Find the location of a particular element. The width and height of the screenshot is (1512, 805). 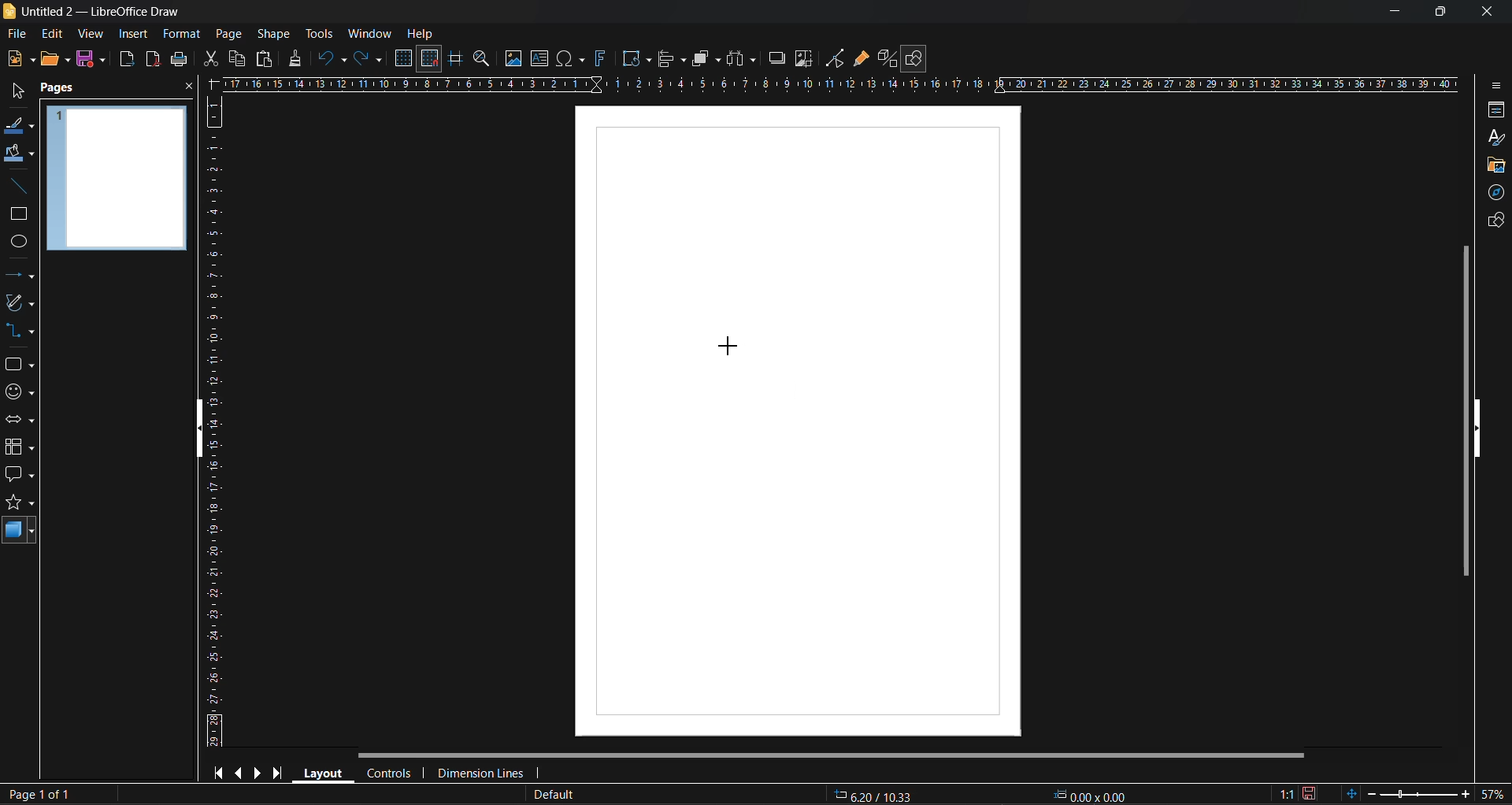

properties is located at coordinates (1493, 111).